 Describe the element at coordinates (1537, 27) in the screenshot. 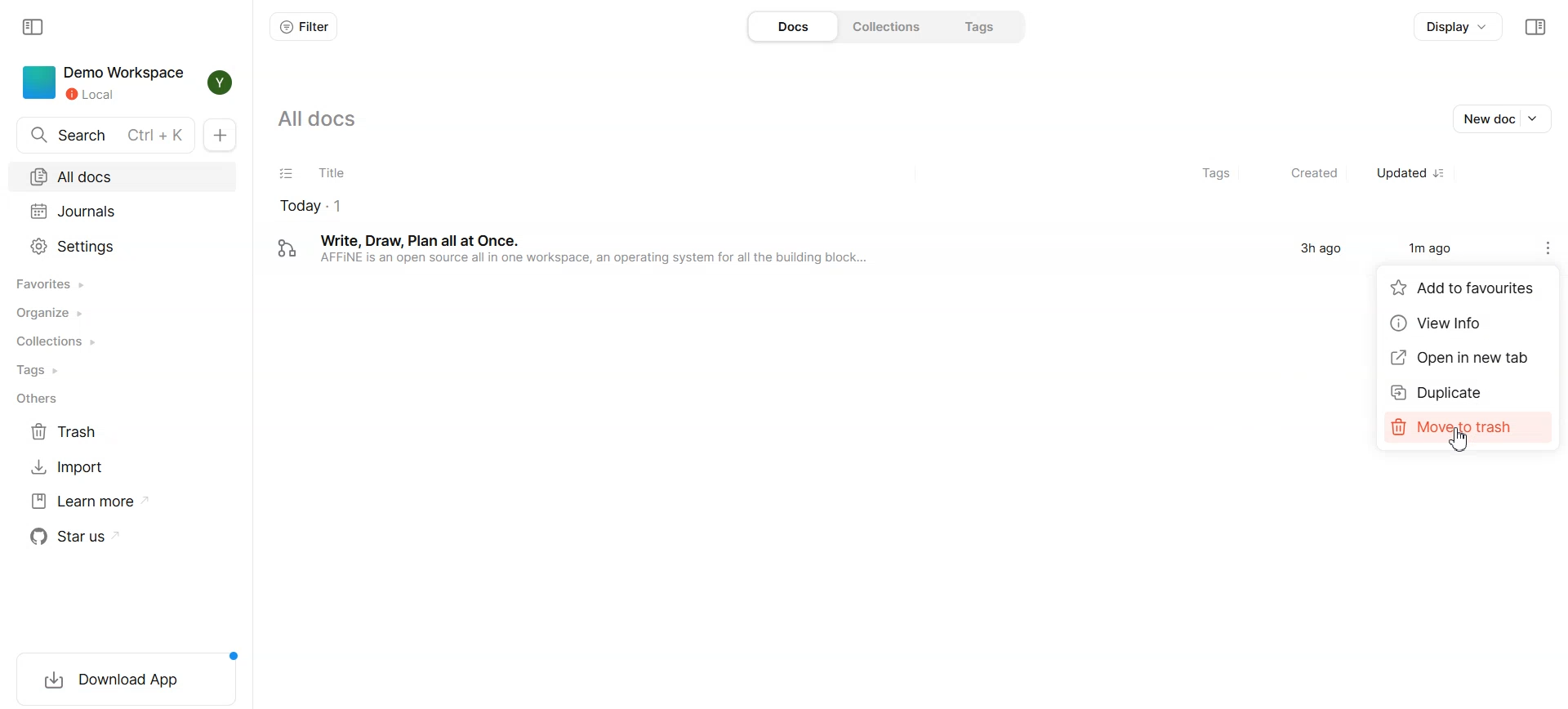

I see `Collapse sidebar` at that location.